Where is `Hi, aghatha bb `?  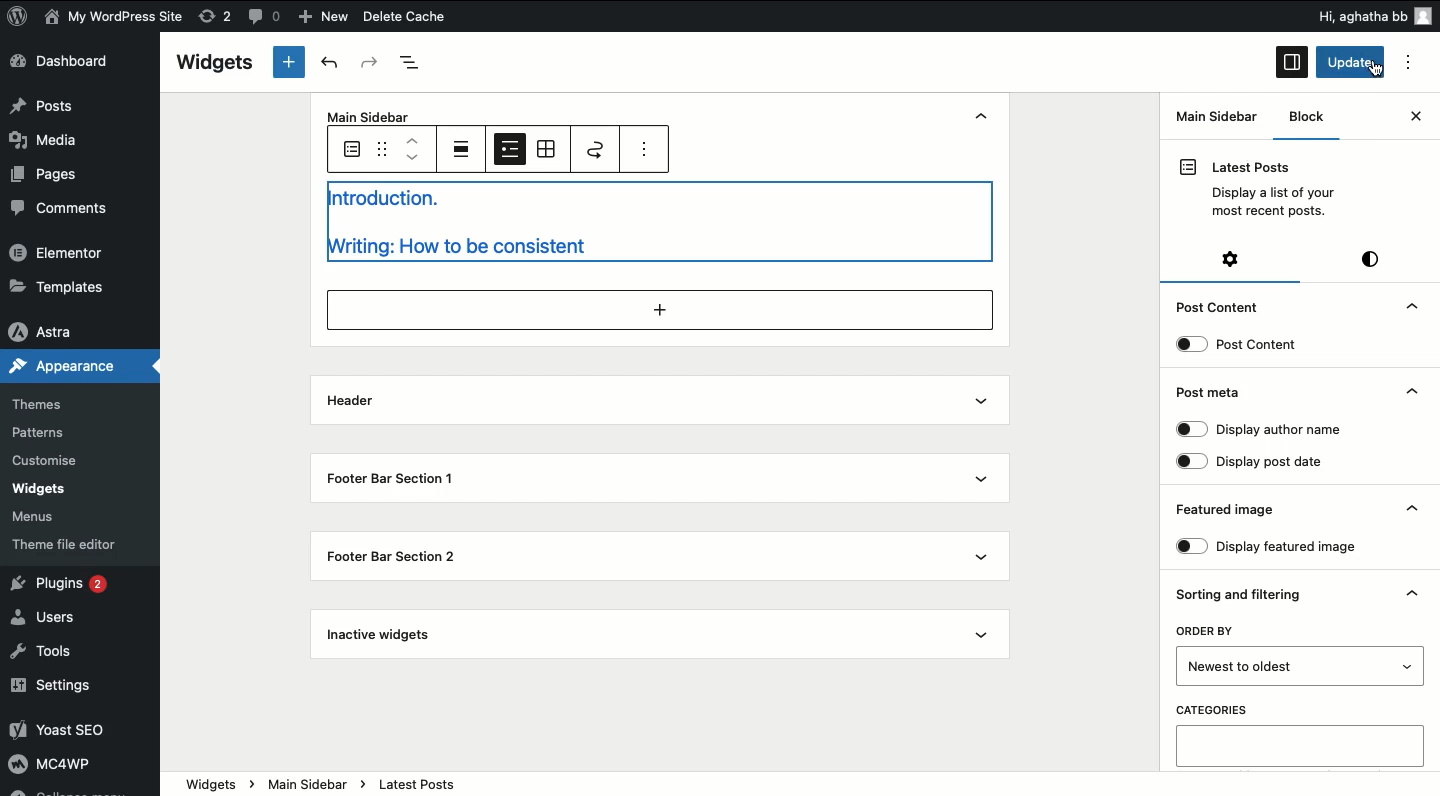 Hi, aghatha bb  is located at coordinates (1368, 15).